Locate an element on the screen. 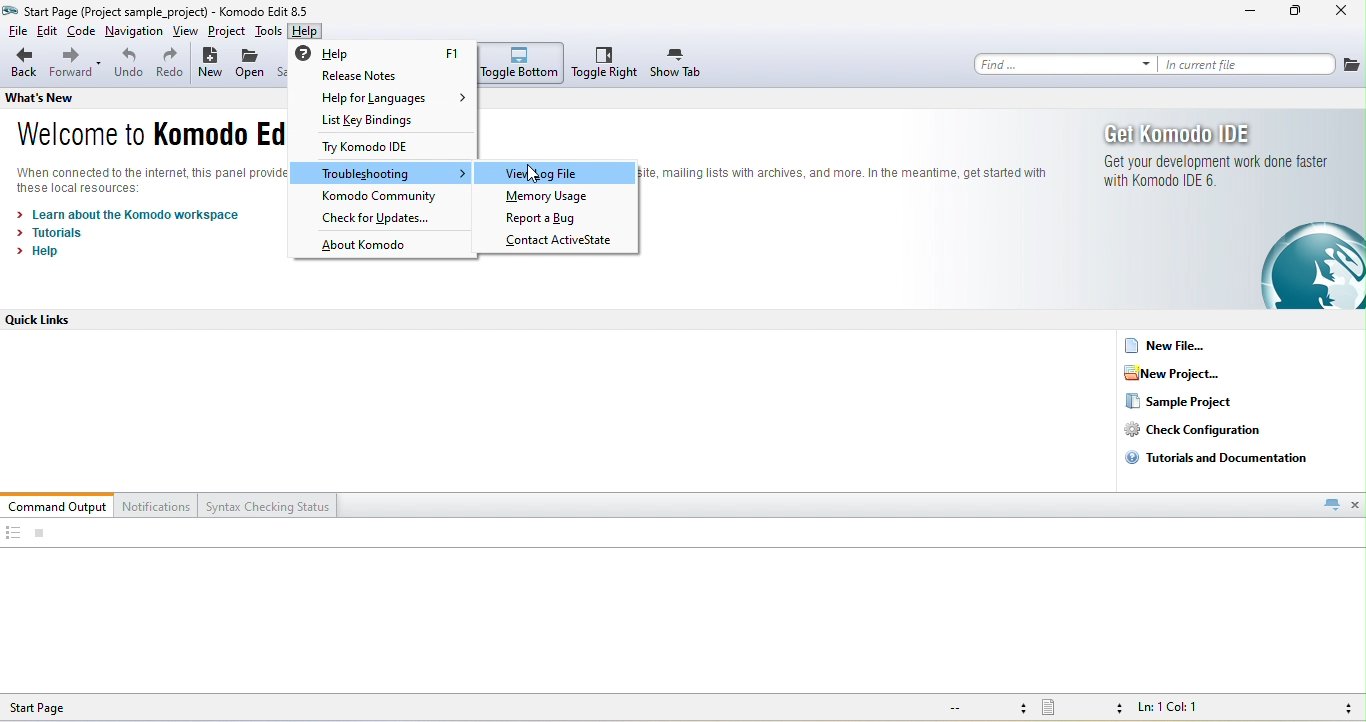  notifications is located at coordinates (158, 505).